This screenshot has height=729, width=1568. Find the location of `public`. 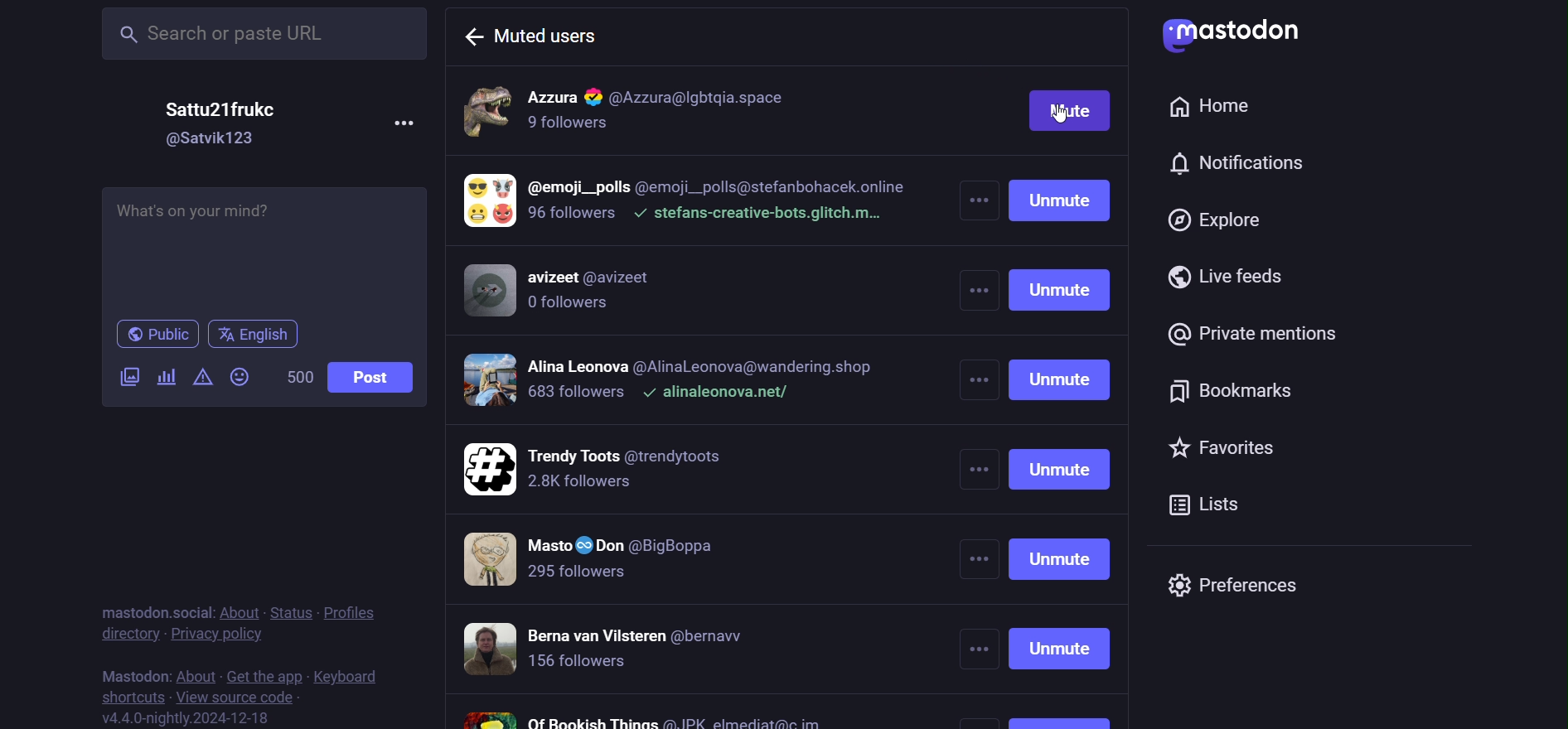

public is located at coordinates (160, 335).